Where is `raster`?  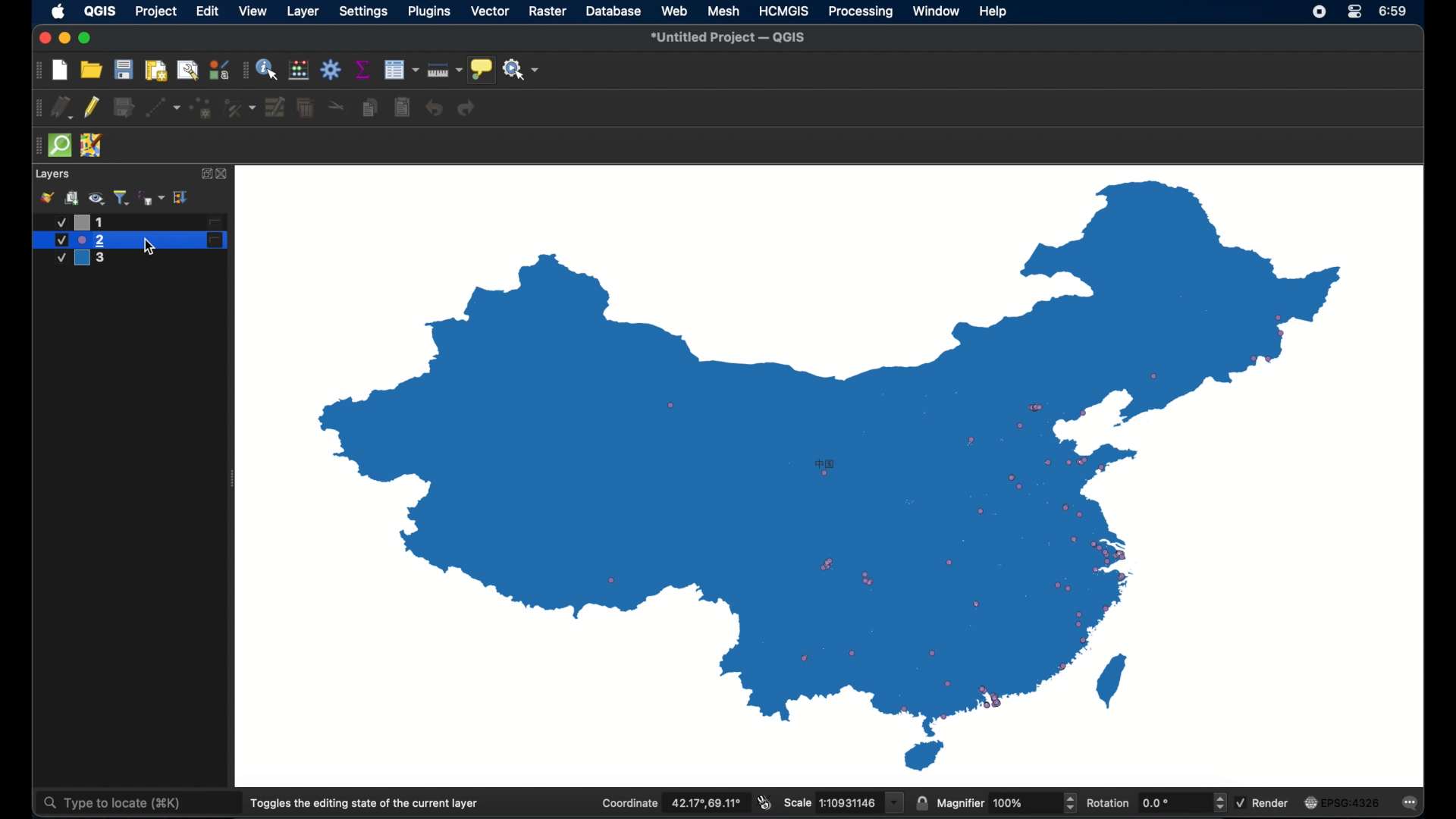
raster is located at coordinates (548, 11).